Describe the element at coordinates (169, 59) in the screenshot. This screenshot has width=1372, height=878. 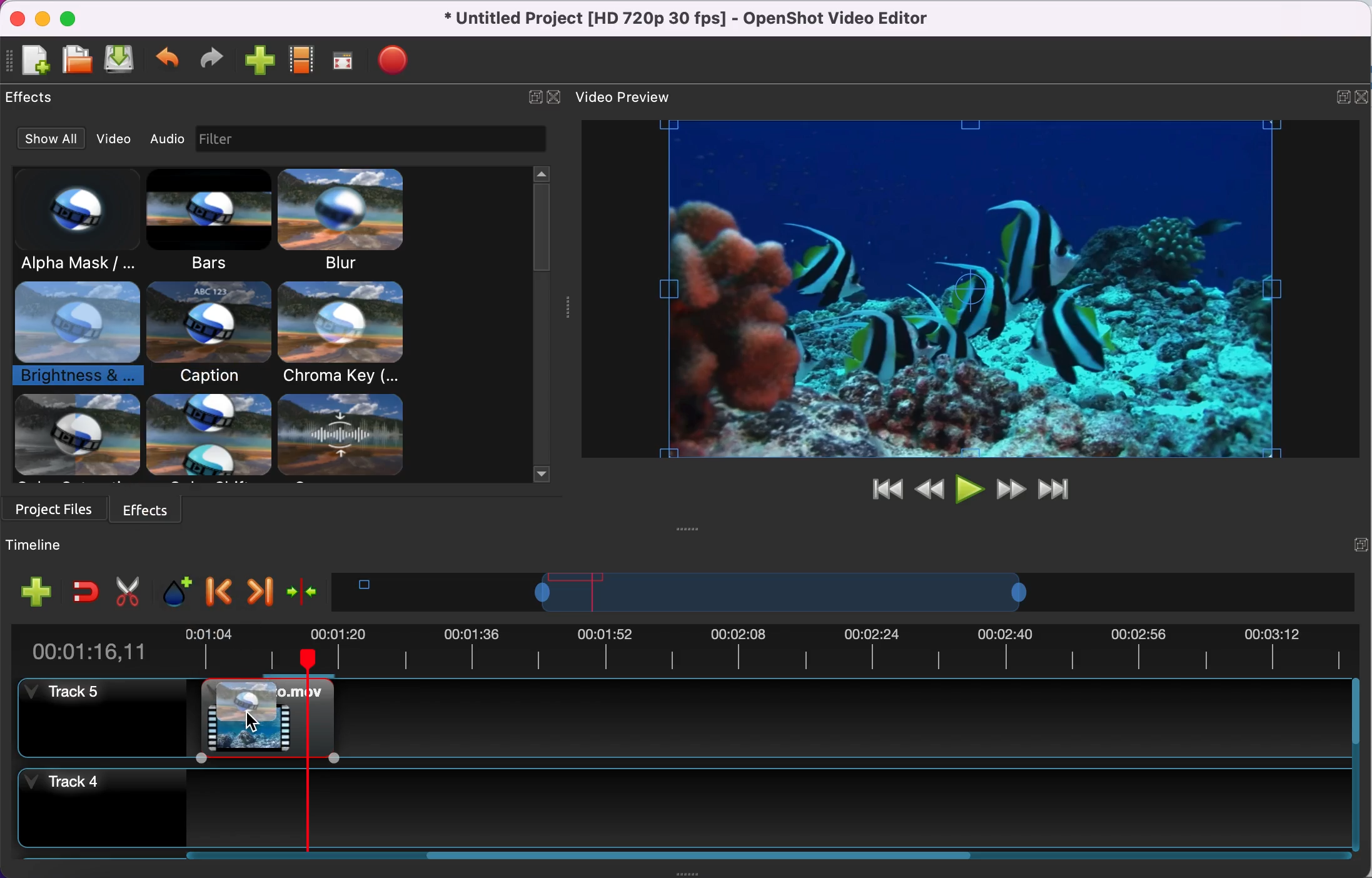
I see `undo` at that location.